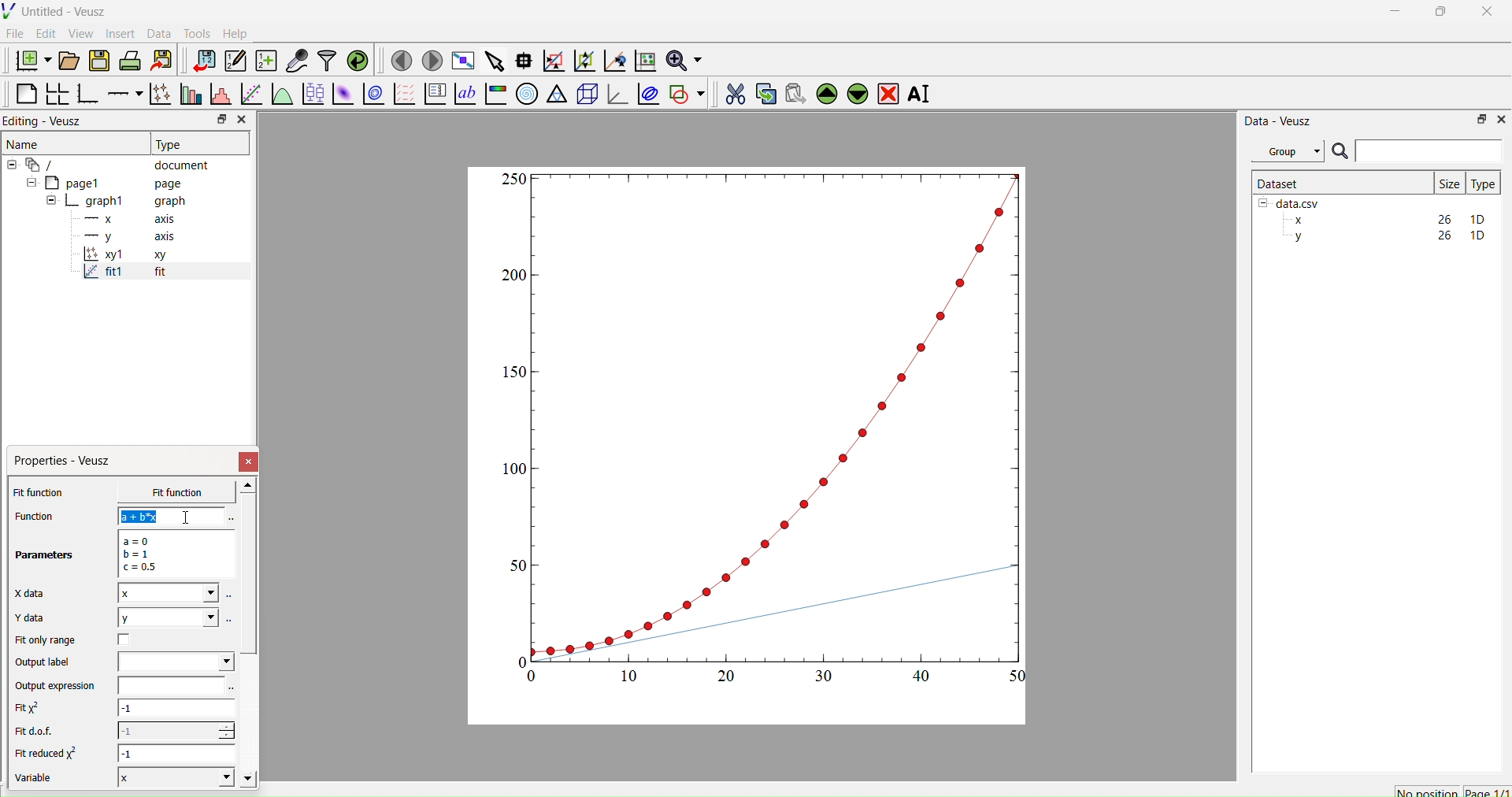 This screenshot has width=1512, height=797. Describe the element at coordinates (241, 120) in the screenshot. I see `Close` at that location.